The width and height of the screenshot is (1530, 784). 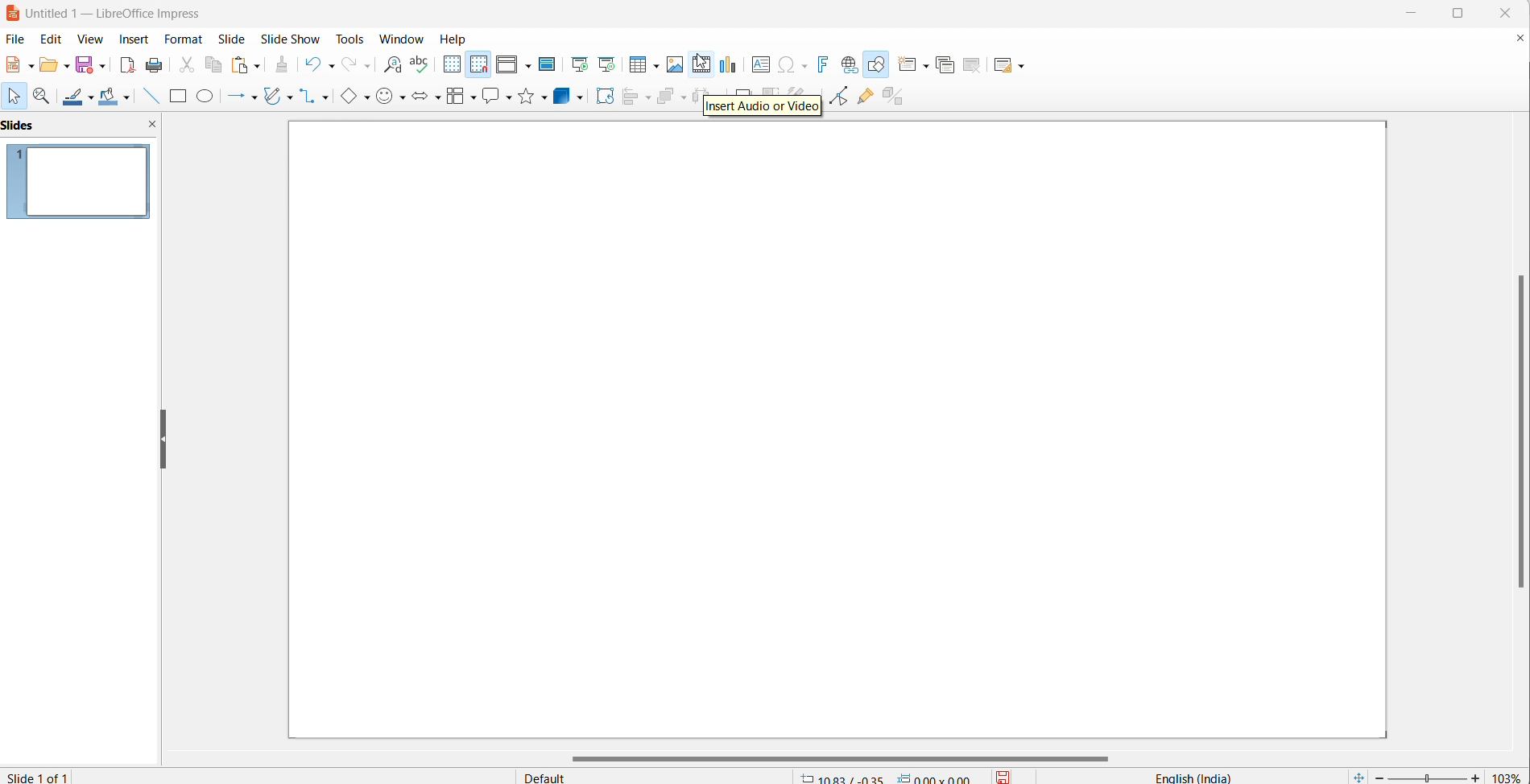 What do you see at coordinates (677, 67) in the screenshot?
I see `insert images` at bounding box center [677, 67].